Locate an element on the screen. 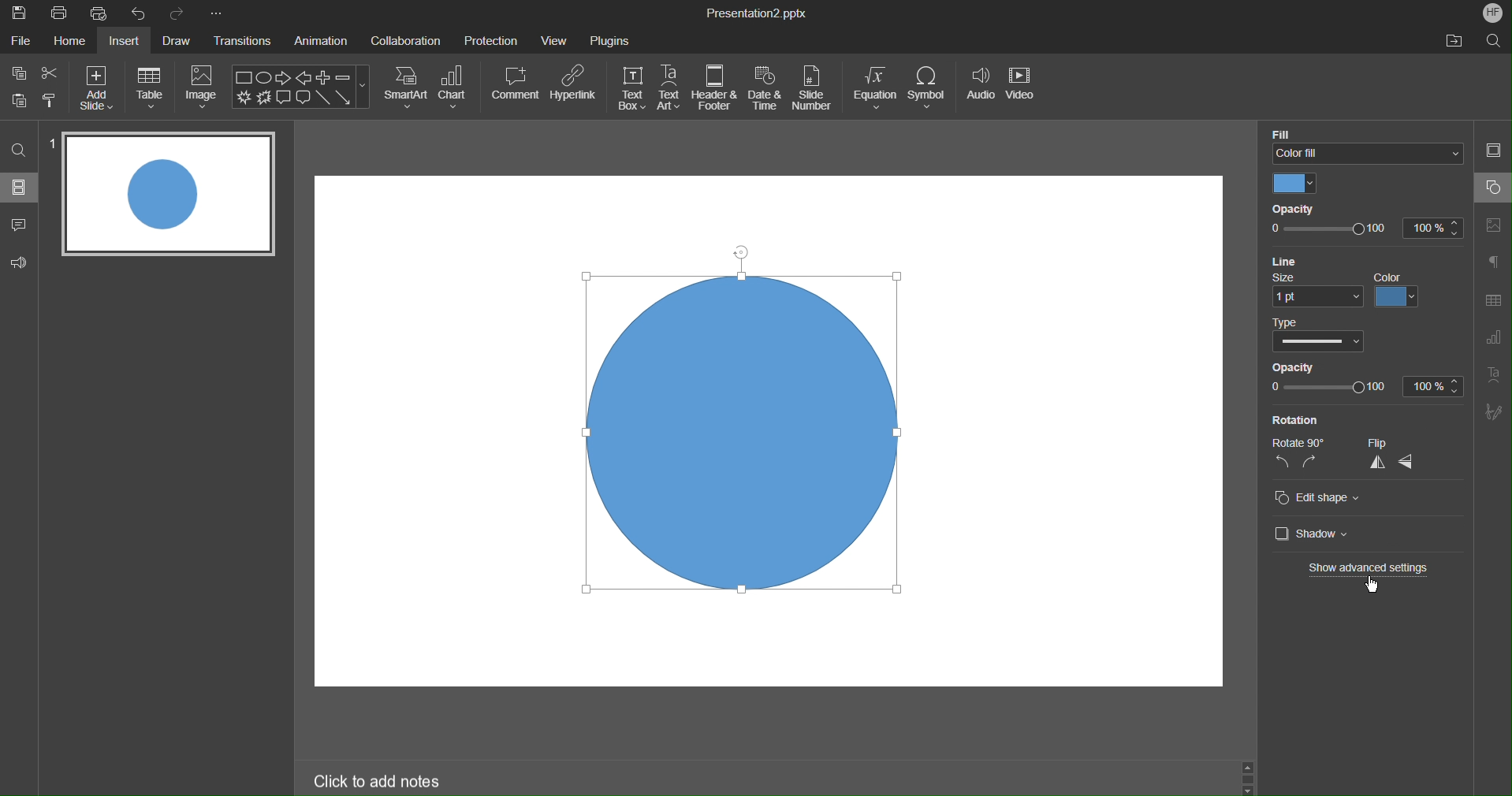 The image size is (1512, 796). Slide Settings is located at coordinates (1493, 153).